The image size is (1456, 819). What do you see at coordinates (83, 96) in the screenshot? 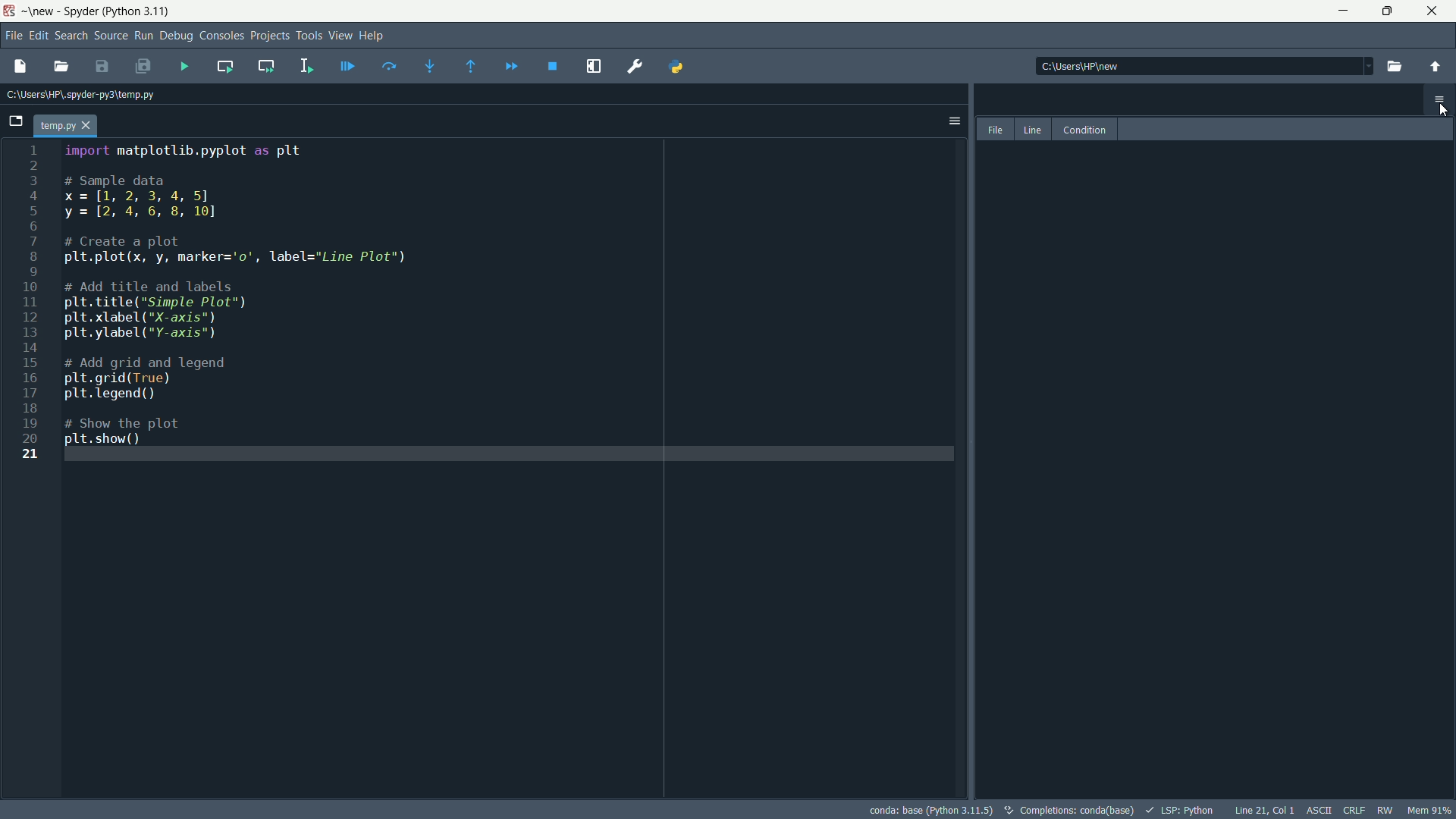
I see `C:\Users\HP\.spyder-py3\temp.py` at bounding box center [83, 96].